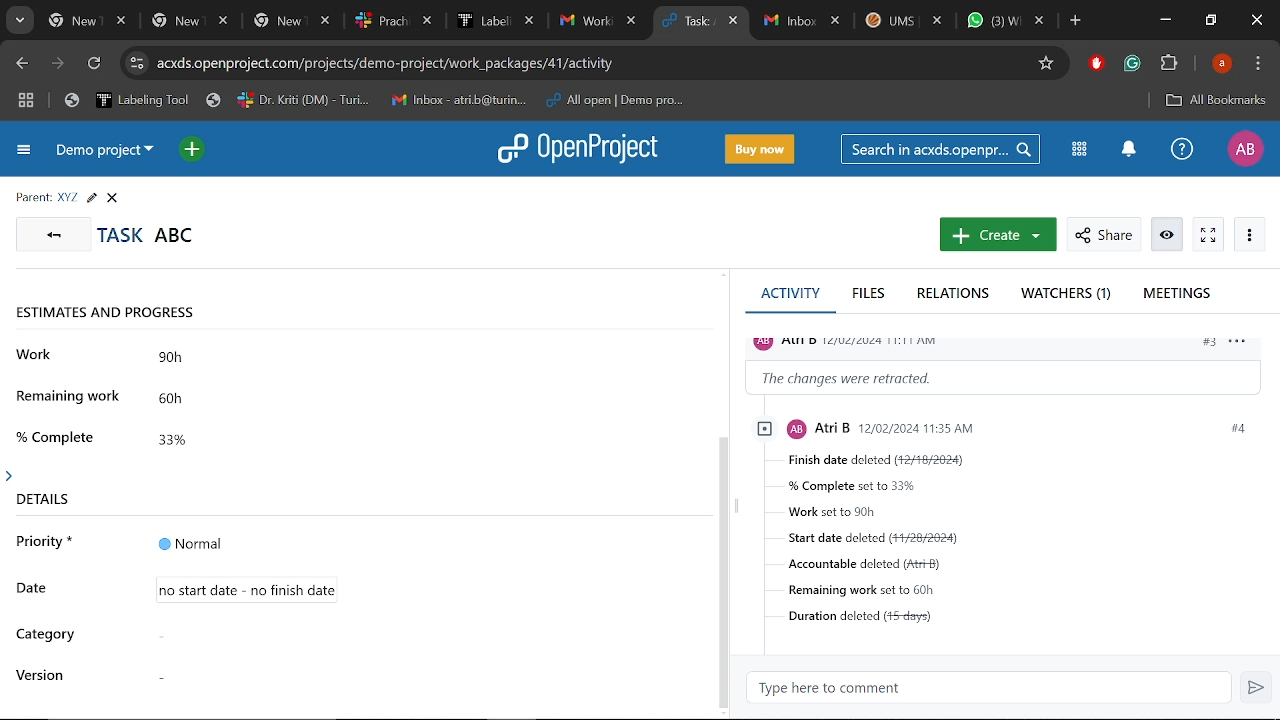 This screenshot has height=720, width=1280. I want to click on Current project, so click(103, 150).